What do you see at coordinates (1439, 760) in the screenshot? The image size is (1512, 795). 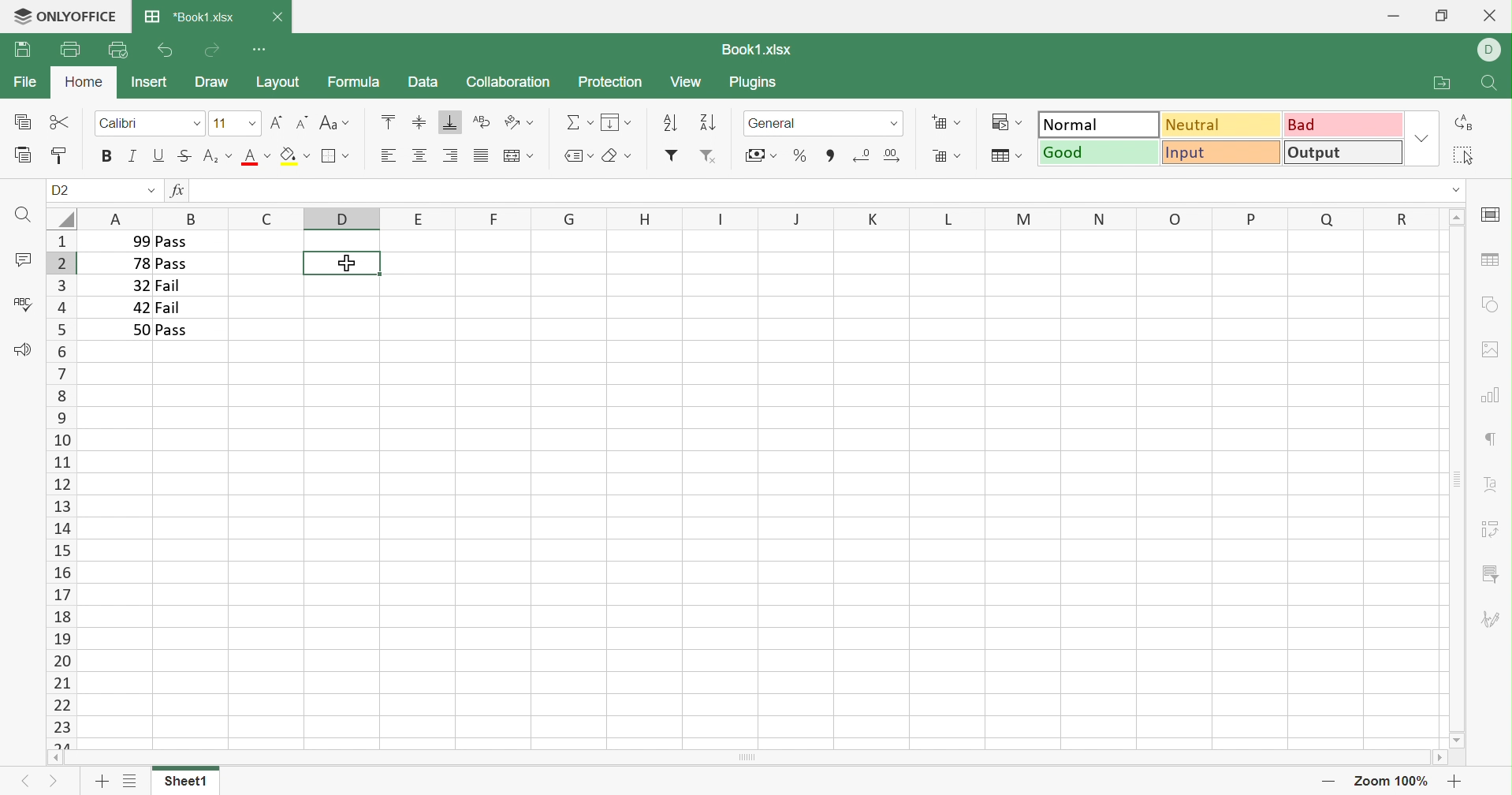 I see `Scroll right` at bounding box center [1439, 760].